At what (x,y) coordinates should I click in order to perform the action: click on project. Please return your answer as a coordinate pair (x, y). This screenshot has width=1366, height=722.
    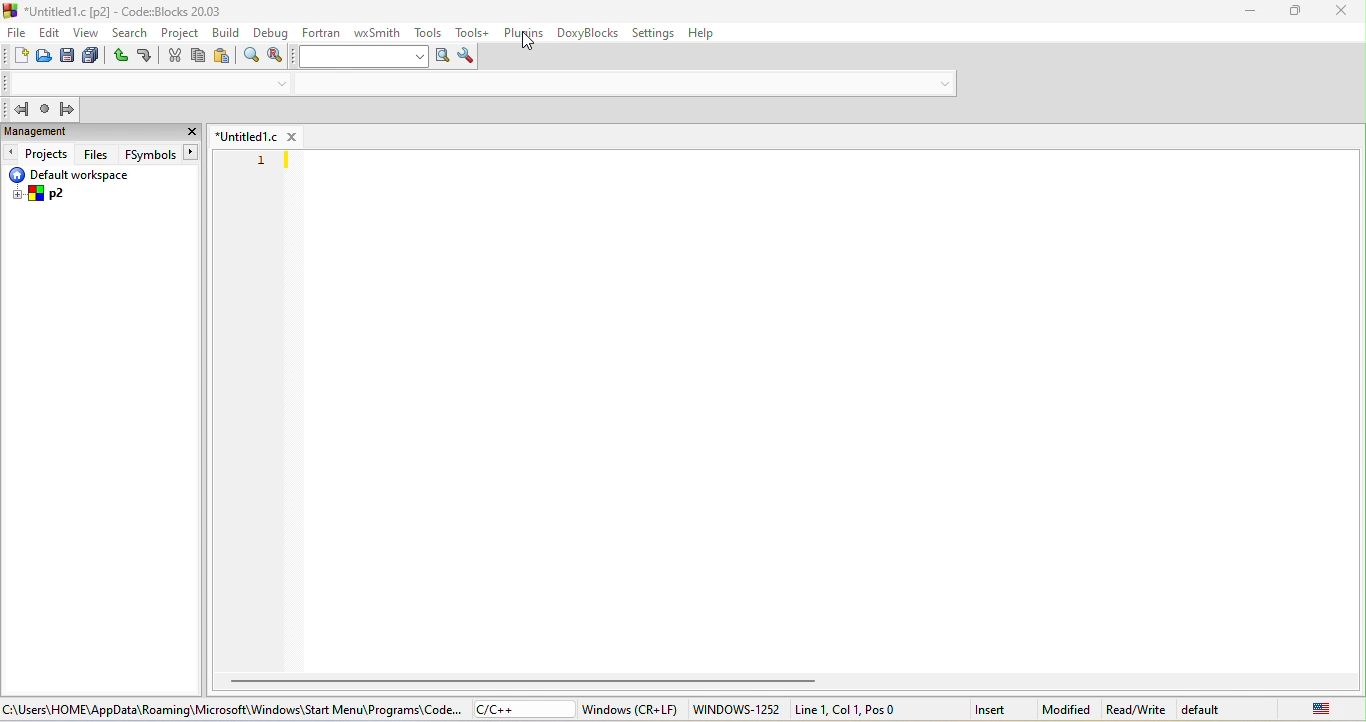
    Looking at the image, I should click on (182, 32).